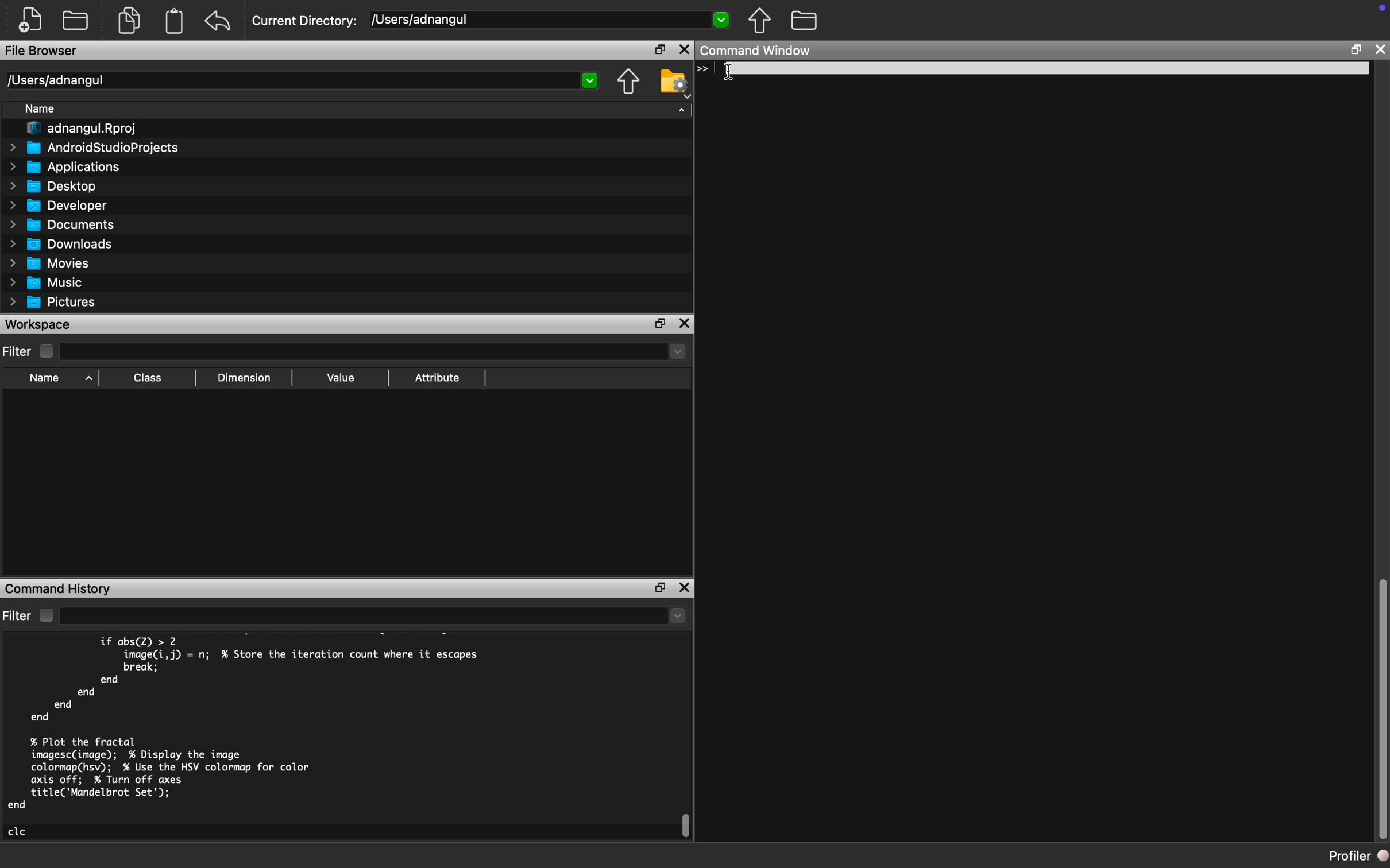 Image resolution: width=1390 pixels, height=868 pixels. I want to click on Close , so click(1379, 50).